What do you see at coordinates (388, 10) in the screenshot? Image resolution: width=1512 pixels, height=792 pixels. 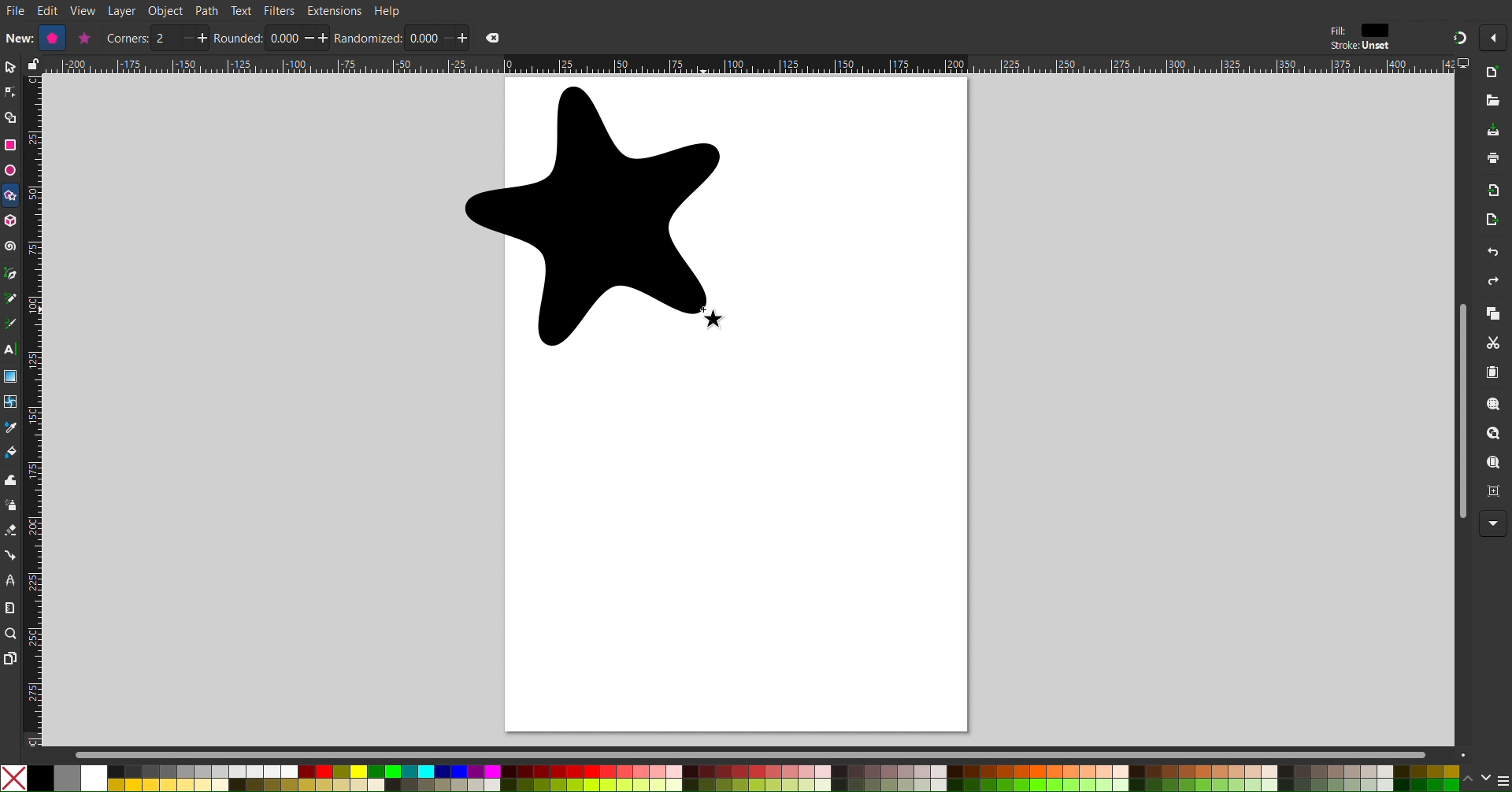 I see `Help` at bounding box center [388, 10].